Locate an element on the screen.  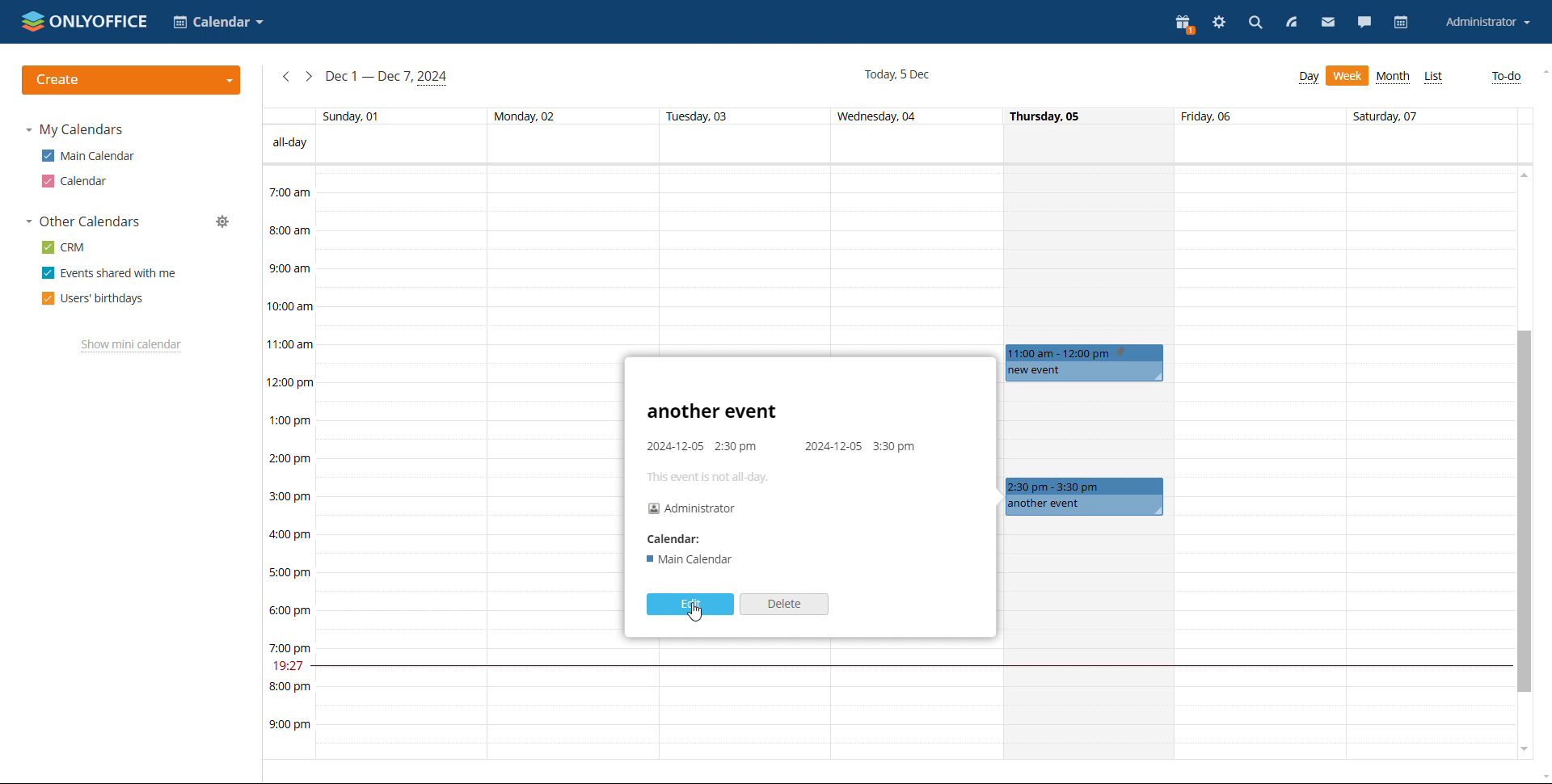
friday, 06 is located at coordinates (1207, 116).